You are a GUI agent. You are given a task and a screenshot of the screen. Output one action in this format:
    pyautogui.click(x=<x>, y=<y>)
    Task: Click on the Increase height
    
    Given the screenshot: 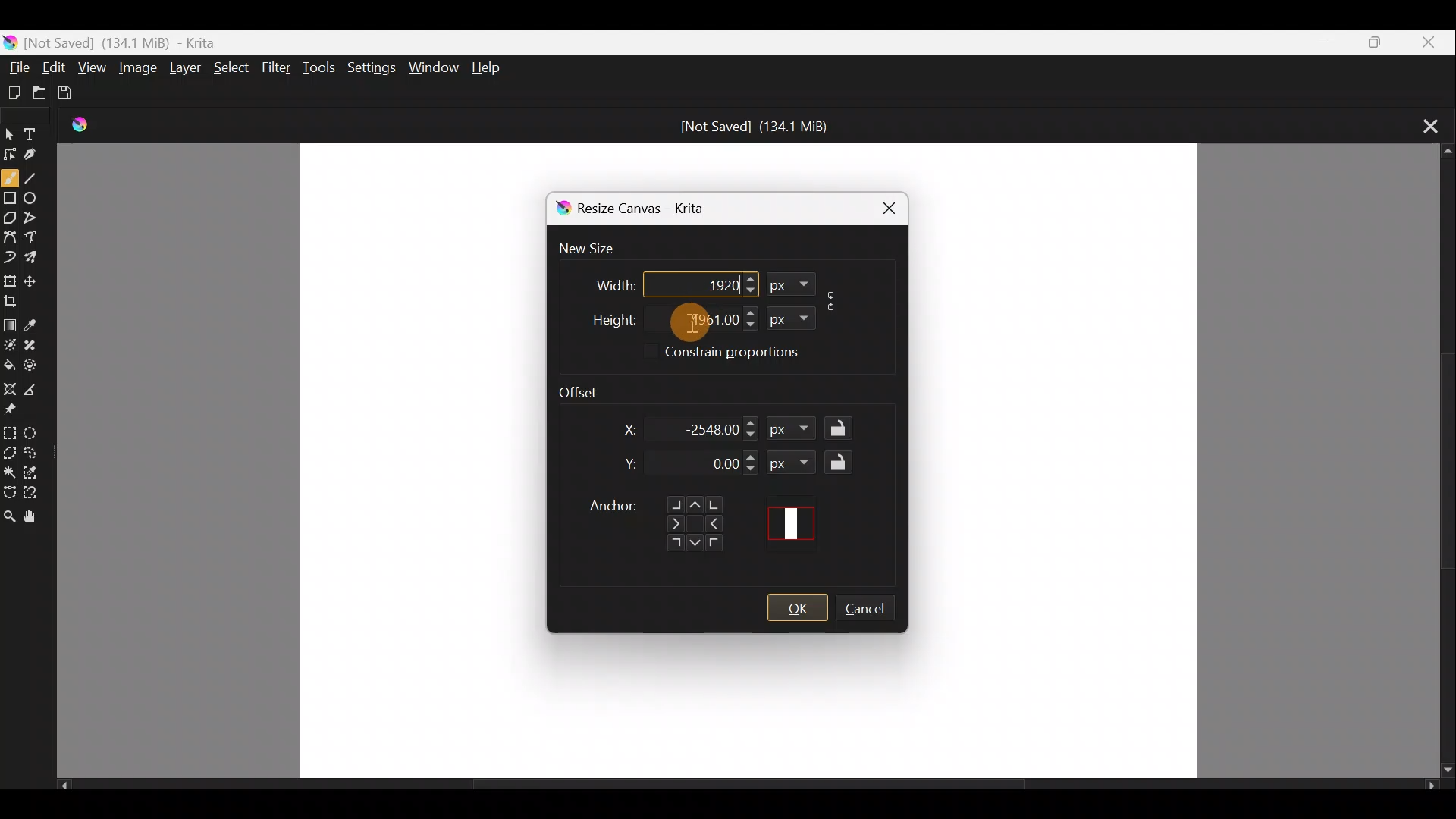 What is the action you would take?
    pyautogui.click(x=748, y=312)
    